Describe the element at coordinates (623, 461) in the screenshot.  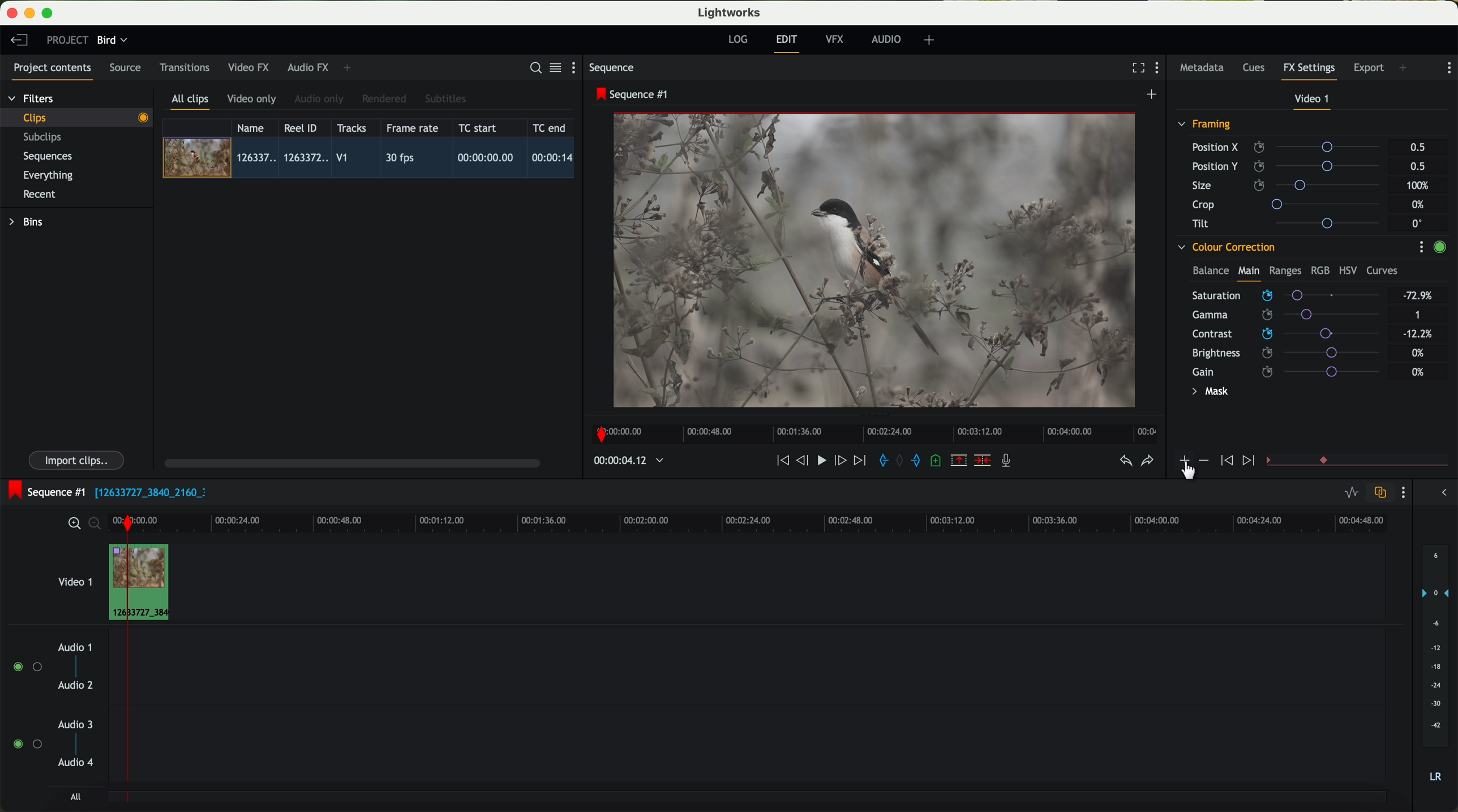
I see `timeline` at that location.